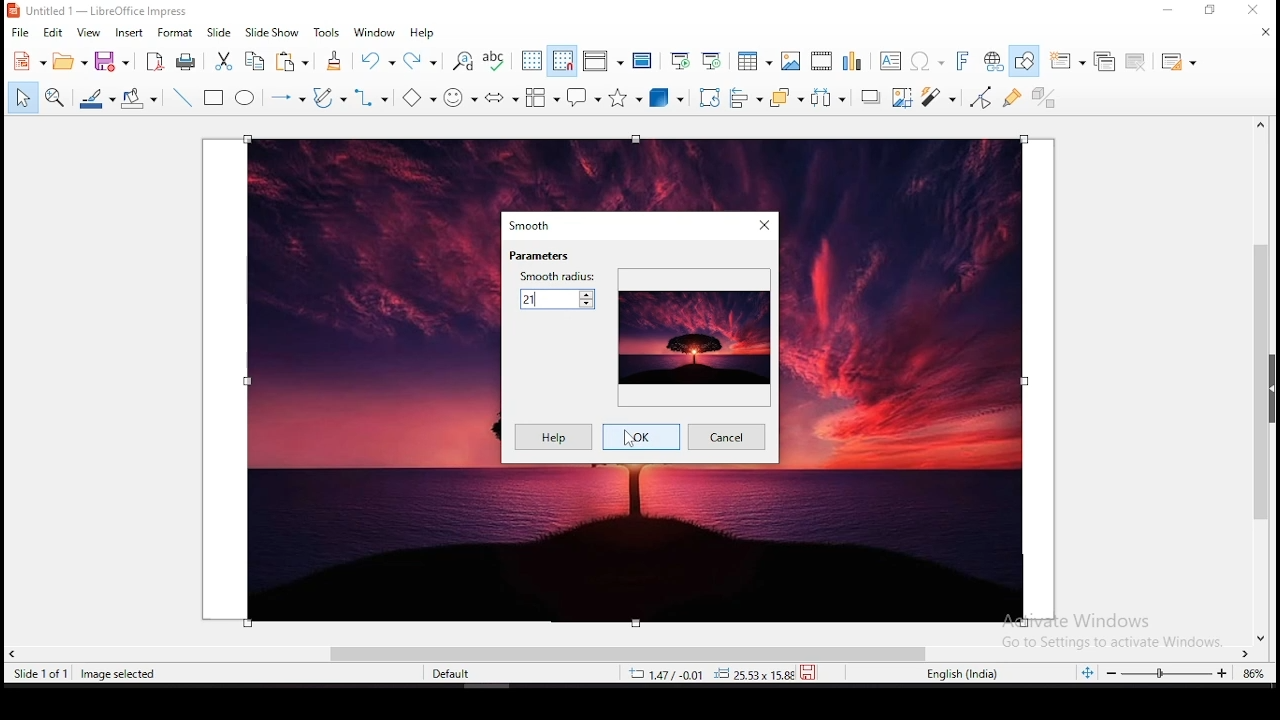 The width and height of the screenshot is (1280, 720). What do you see at coordinates (55, 33) in the screenshot?
I see `edit` at bounding box center [55, 33].